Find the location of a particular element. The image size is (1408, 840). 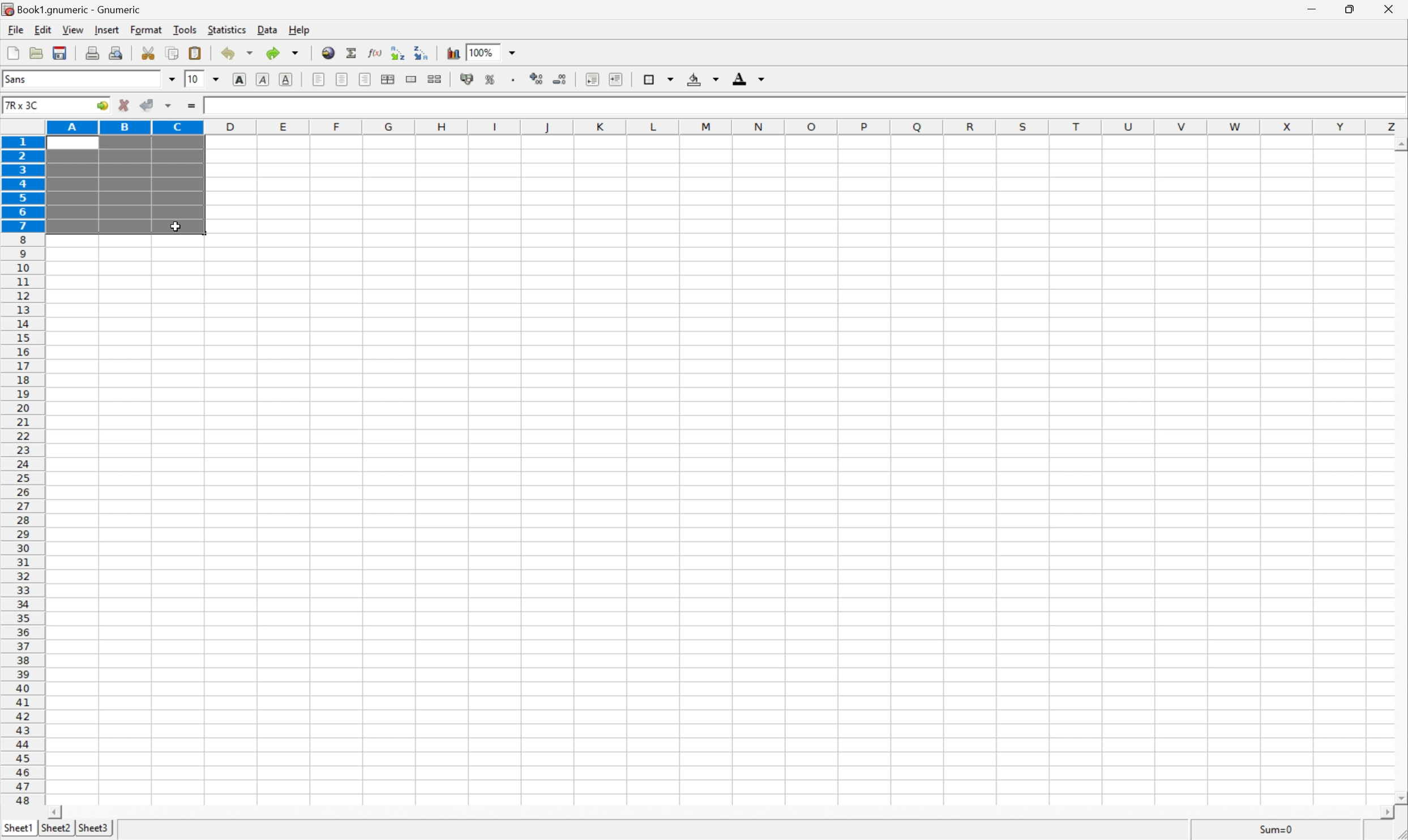

scroll left is located at coordinates (57, 812).